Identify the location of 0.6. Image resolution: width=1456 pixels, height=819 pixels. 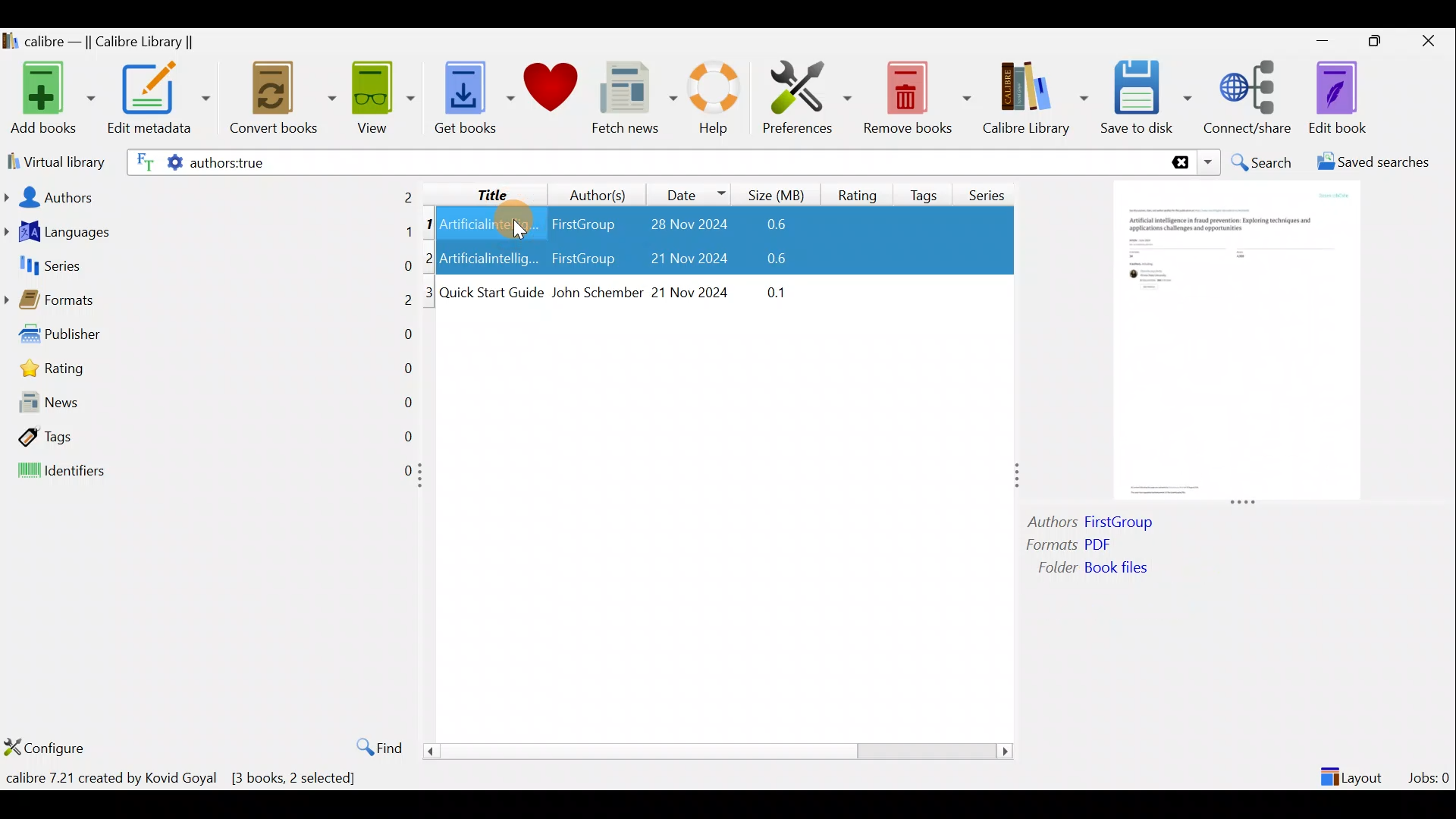
(782, 225).